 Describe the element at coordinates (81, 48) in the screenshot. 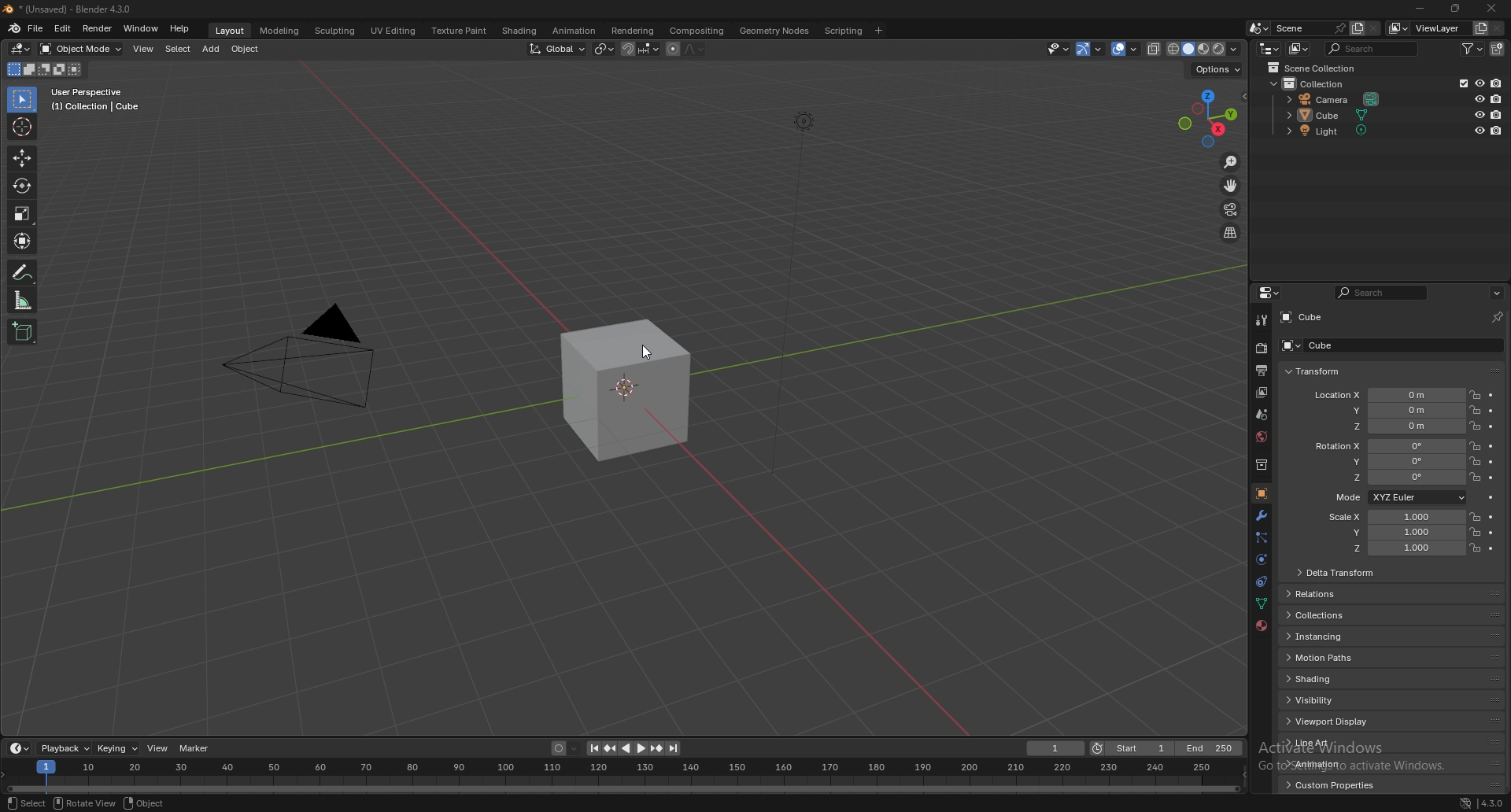

I see `object mode` at that location.